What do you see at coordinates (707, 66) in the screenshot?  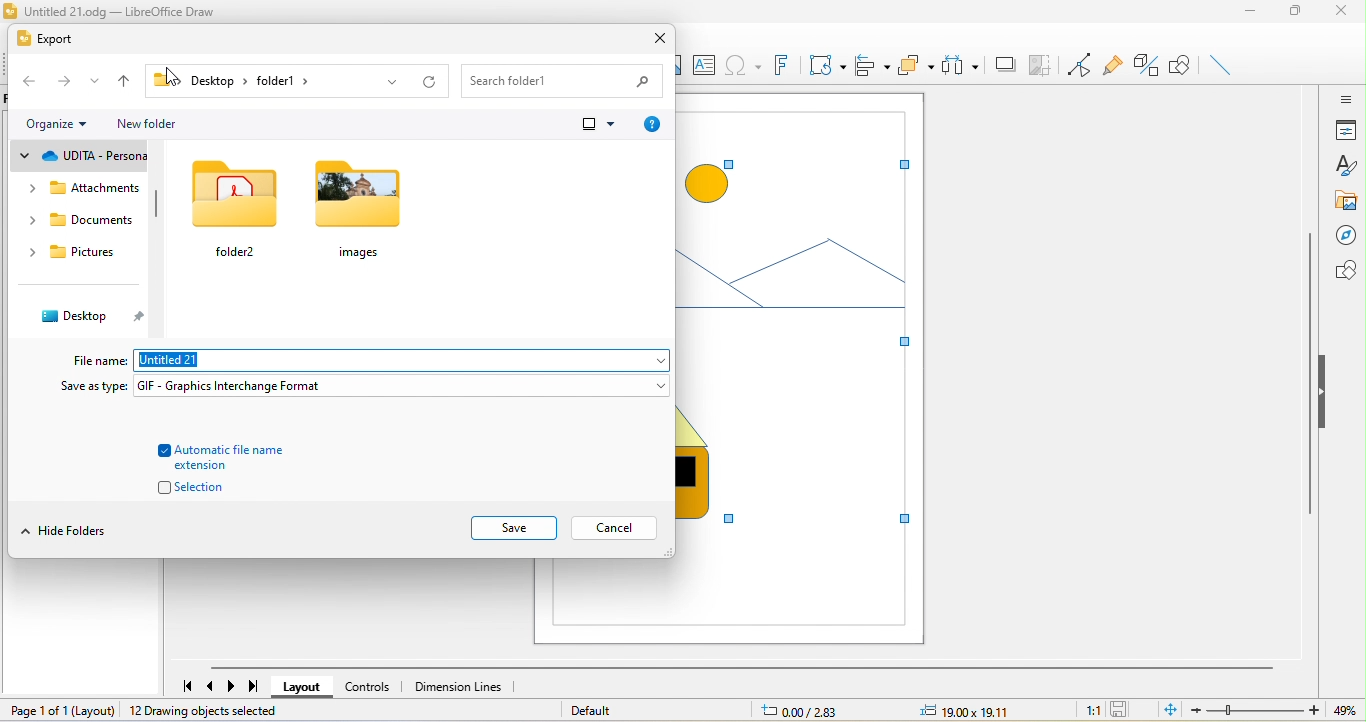 I see `textbox` at bounding box center [707, 66].